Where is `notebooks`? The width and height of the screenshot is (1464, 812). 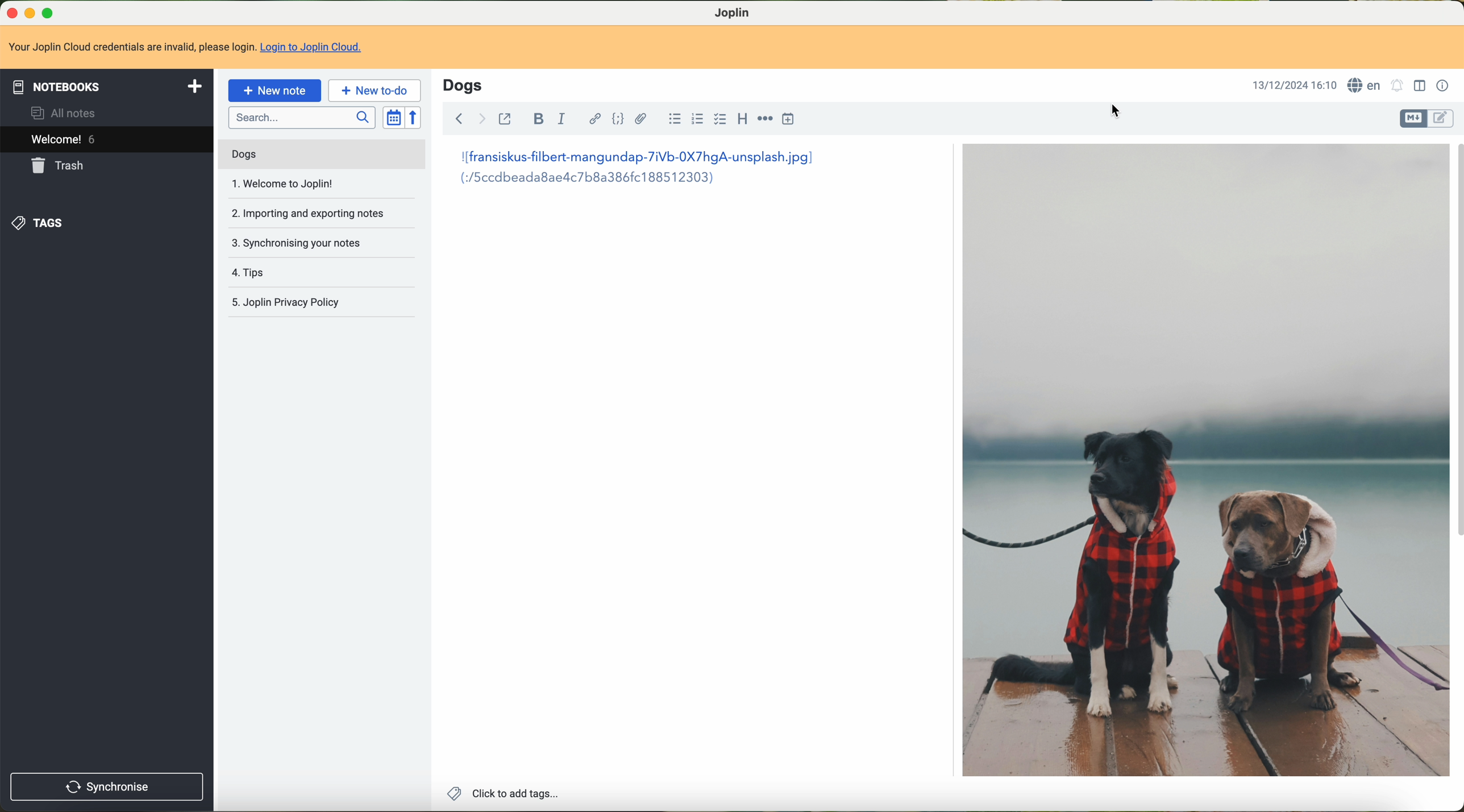
notebooks is located at coordinates (107, 86).